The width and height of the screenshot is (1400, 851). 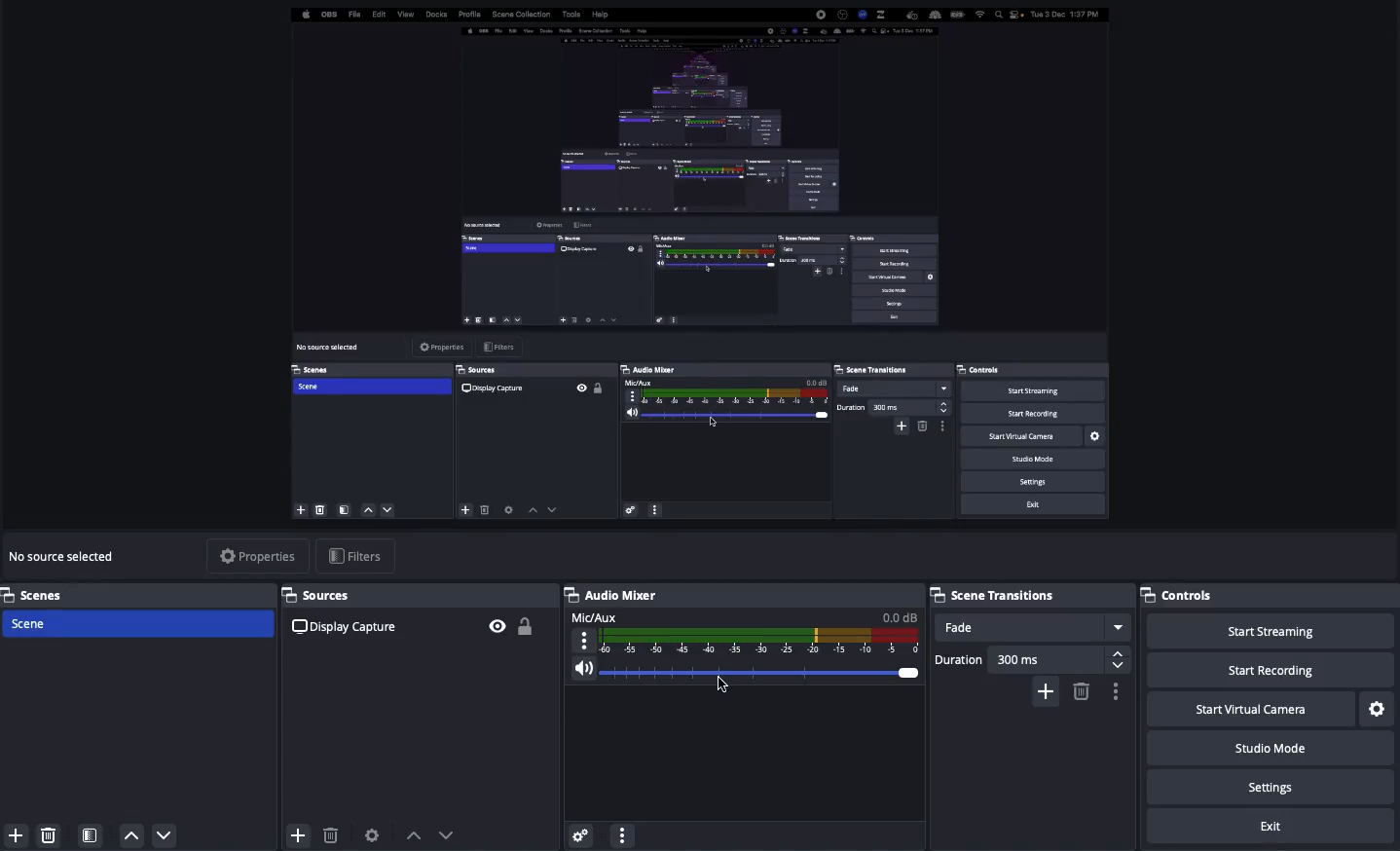 What do you see at coordinates (1030, 659) in the screenshot?
I see `Duration` at bounding box center [1030, 659].